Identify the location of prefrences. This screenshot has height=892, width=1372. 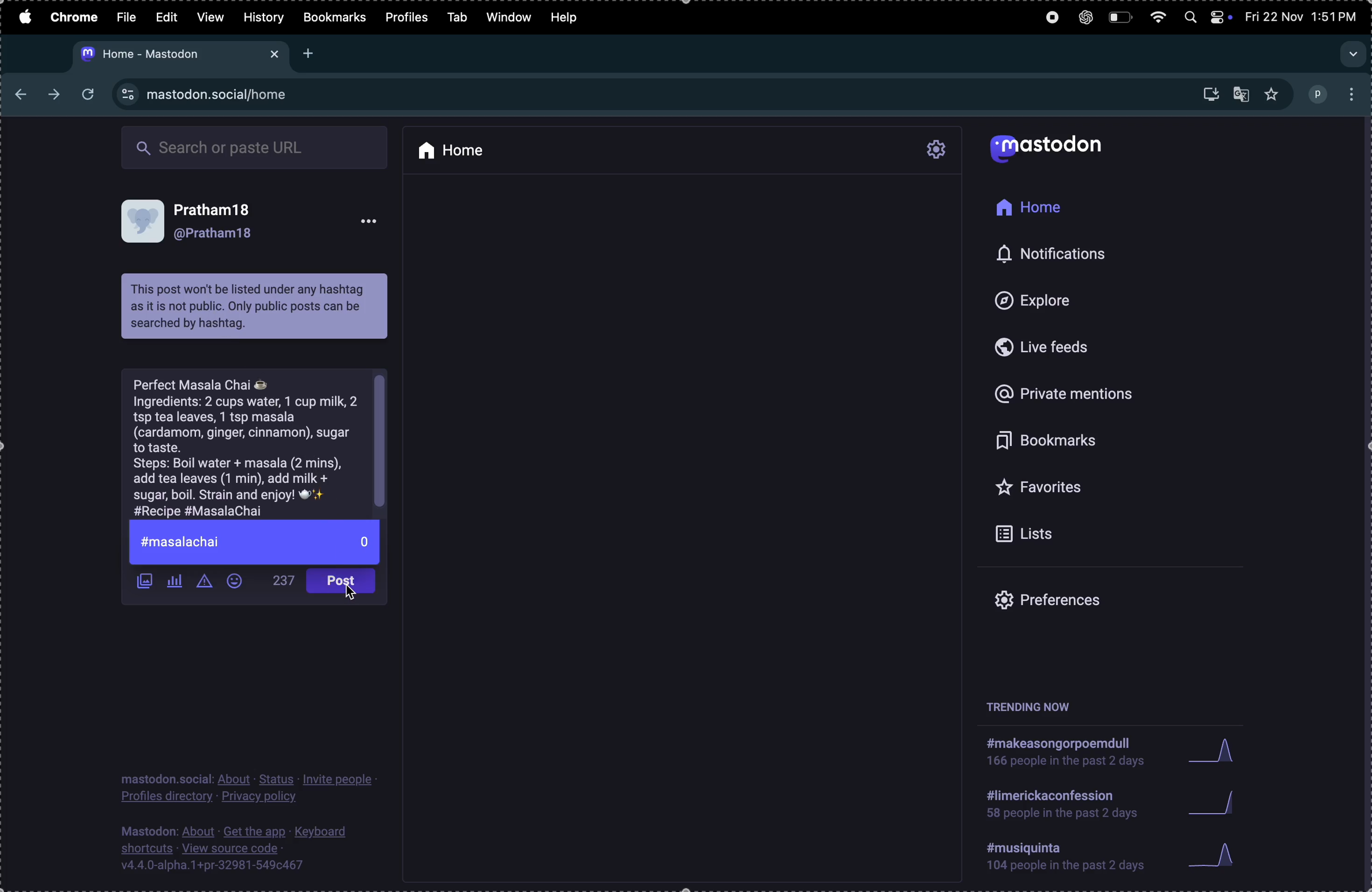
(1071, 599).